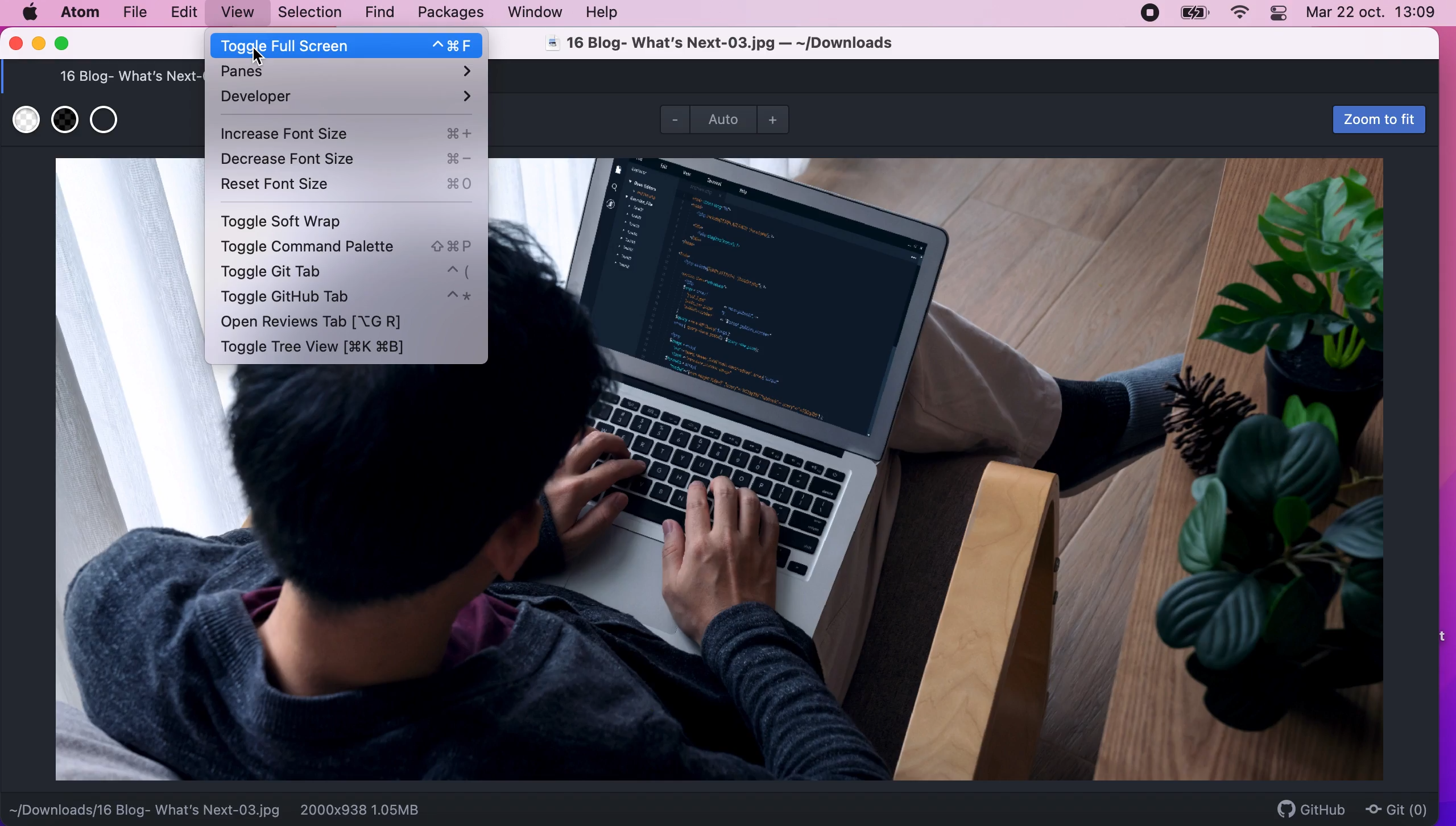 The image size is (1456, 826). What do you see at coordinates (135, 13) in the screenshot?
I see `file` at bounding box center [135, 13].